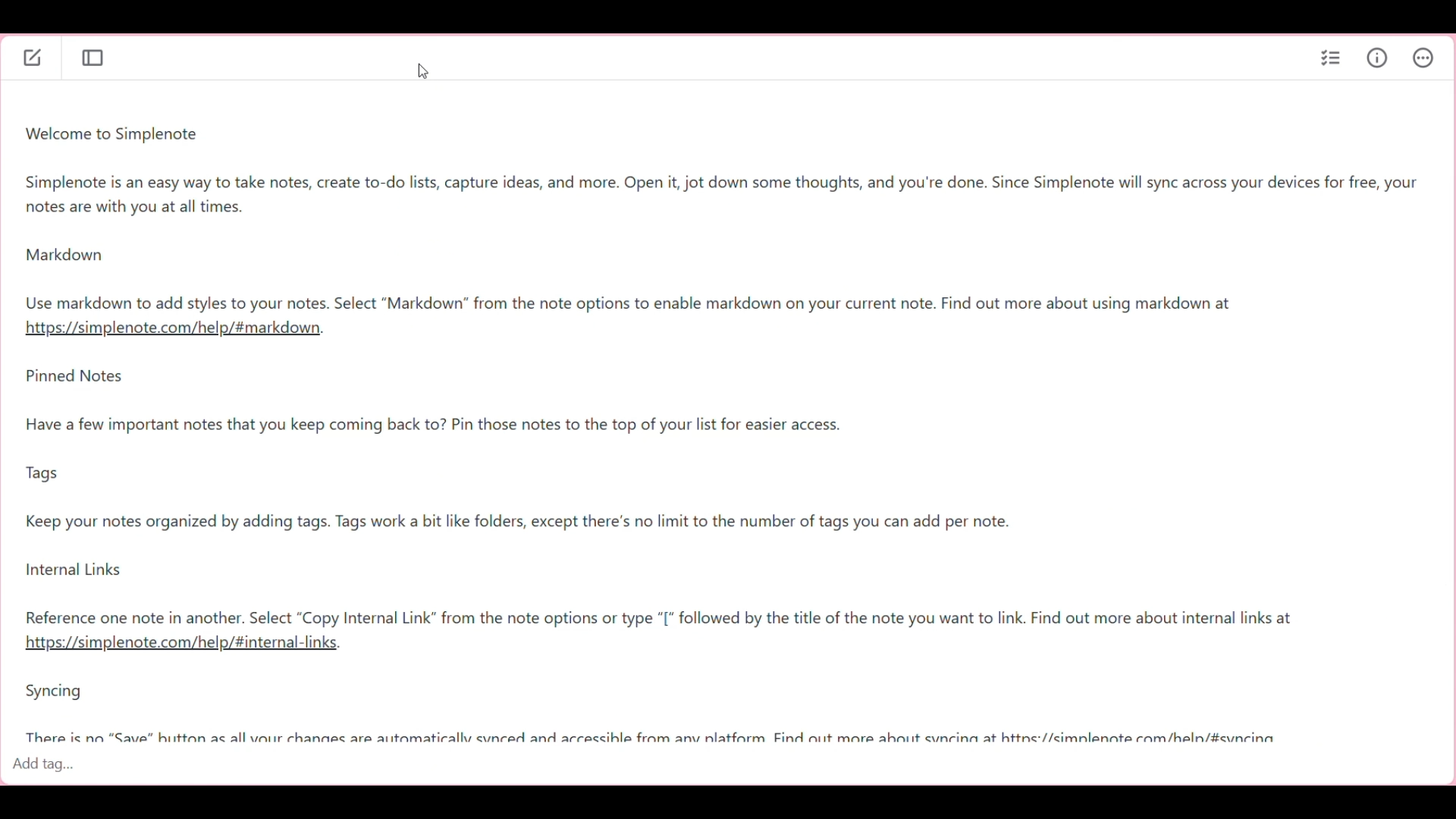 This screenshot has width=1456, height=819. I want to click on Pinned notes-note2, so click(654, 497).